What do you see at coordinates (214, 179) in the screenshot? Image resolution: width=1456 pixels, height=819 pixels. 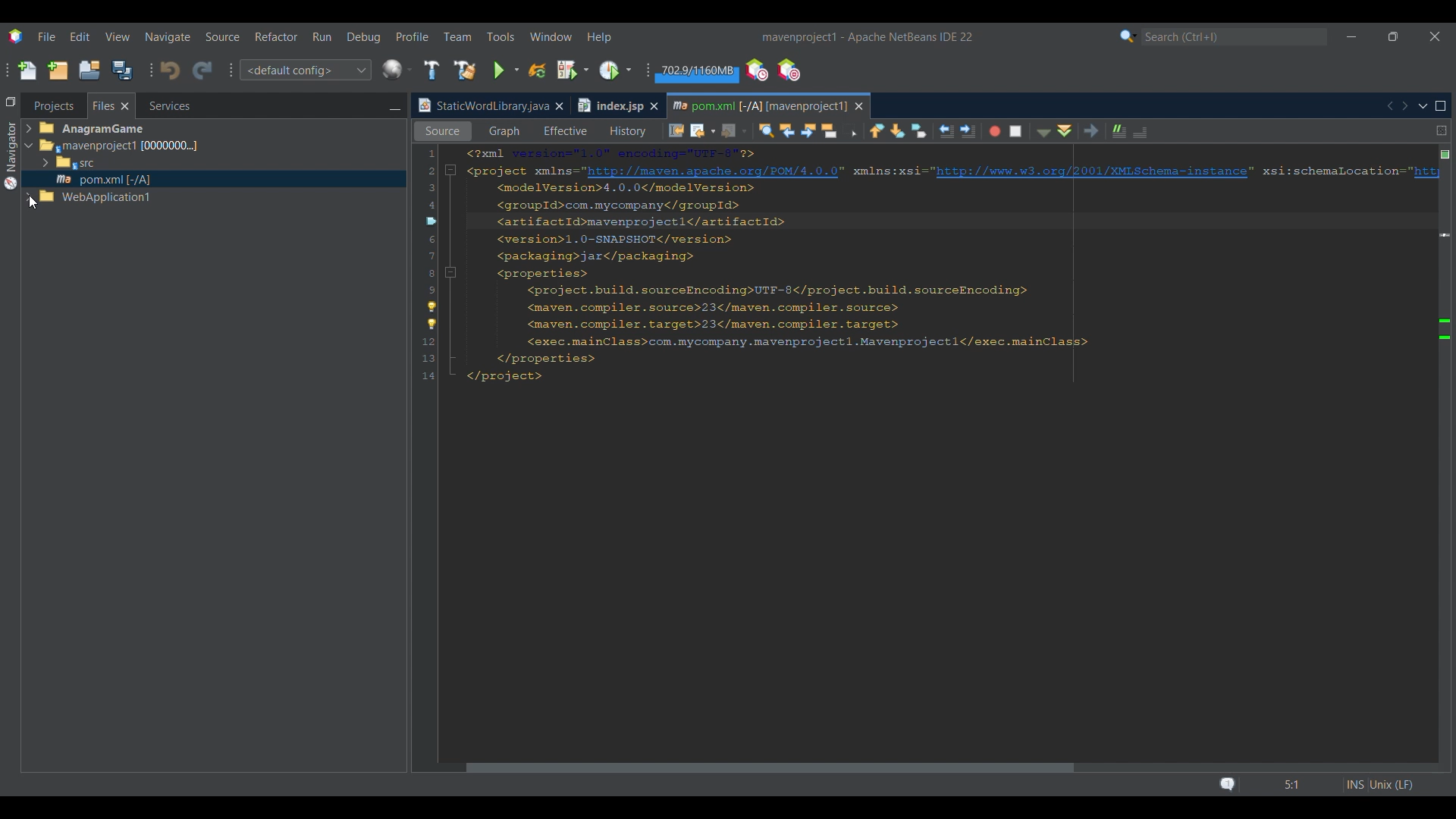 I see `Selected file highlighted` at bounding box center [214, 179].